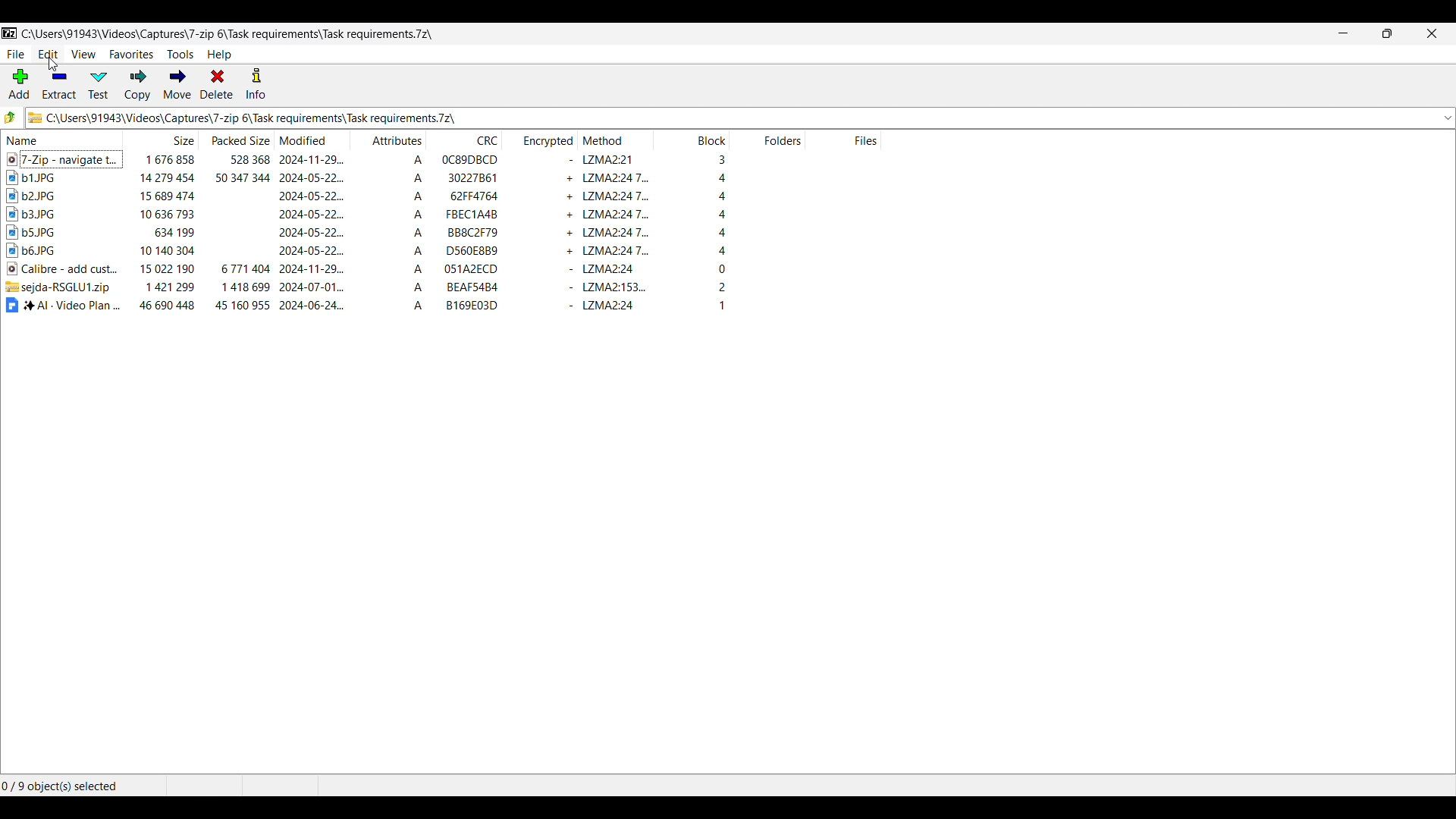 The height and width of the screenshot is (819, 1456). I want to click on Info, so click(256, 83).